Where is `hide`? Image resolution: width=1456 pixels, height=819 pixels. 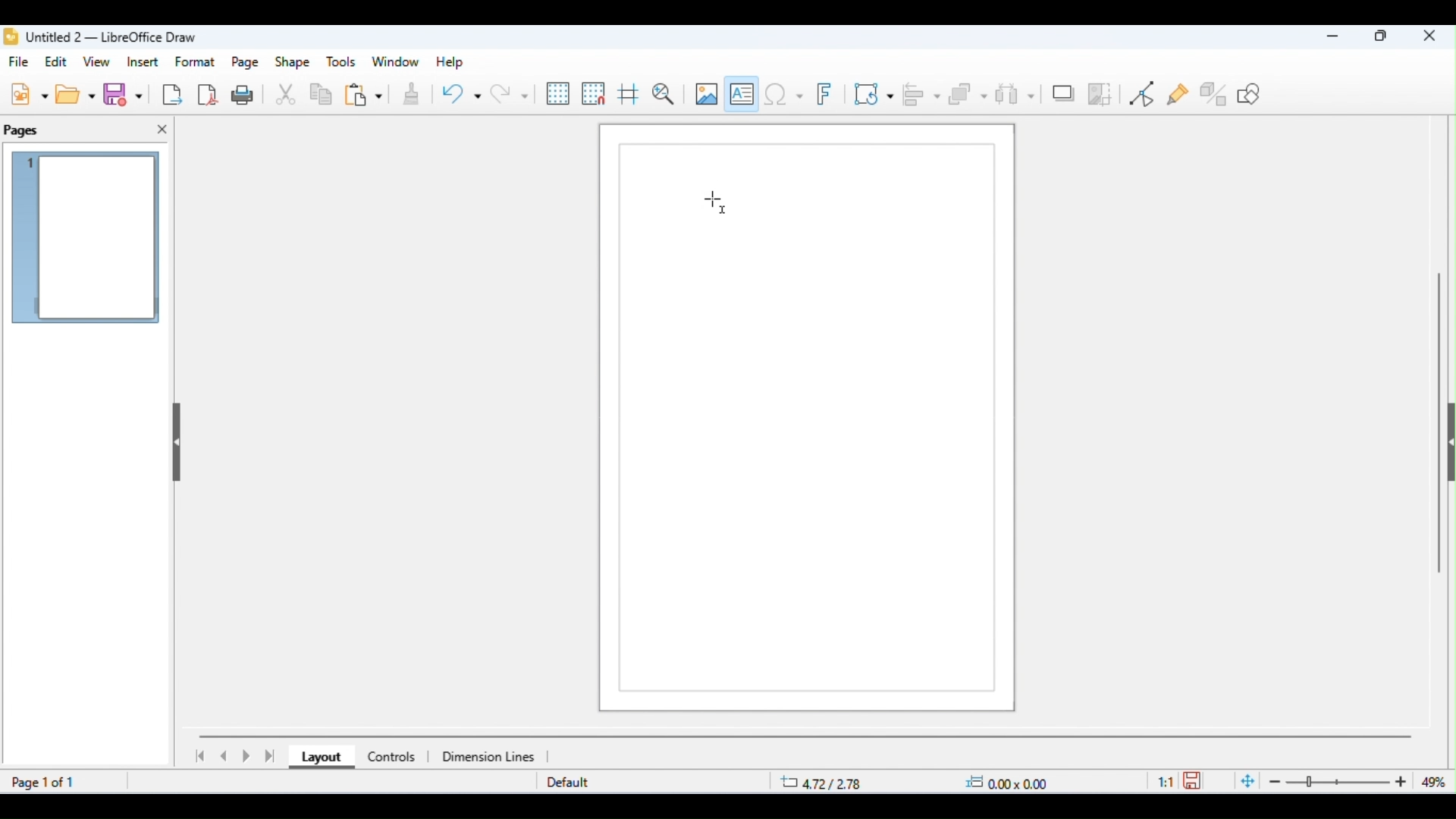 hide is located at coordinates (1447, 446).